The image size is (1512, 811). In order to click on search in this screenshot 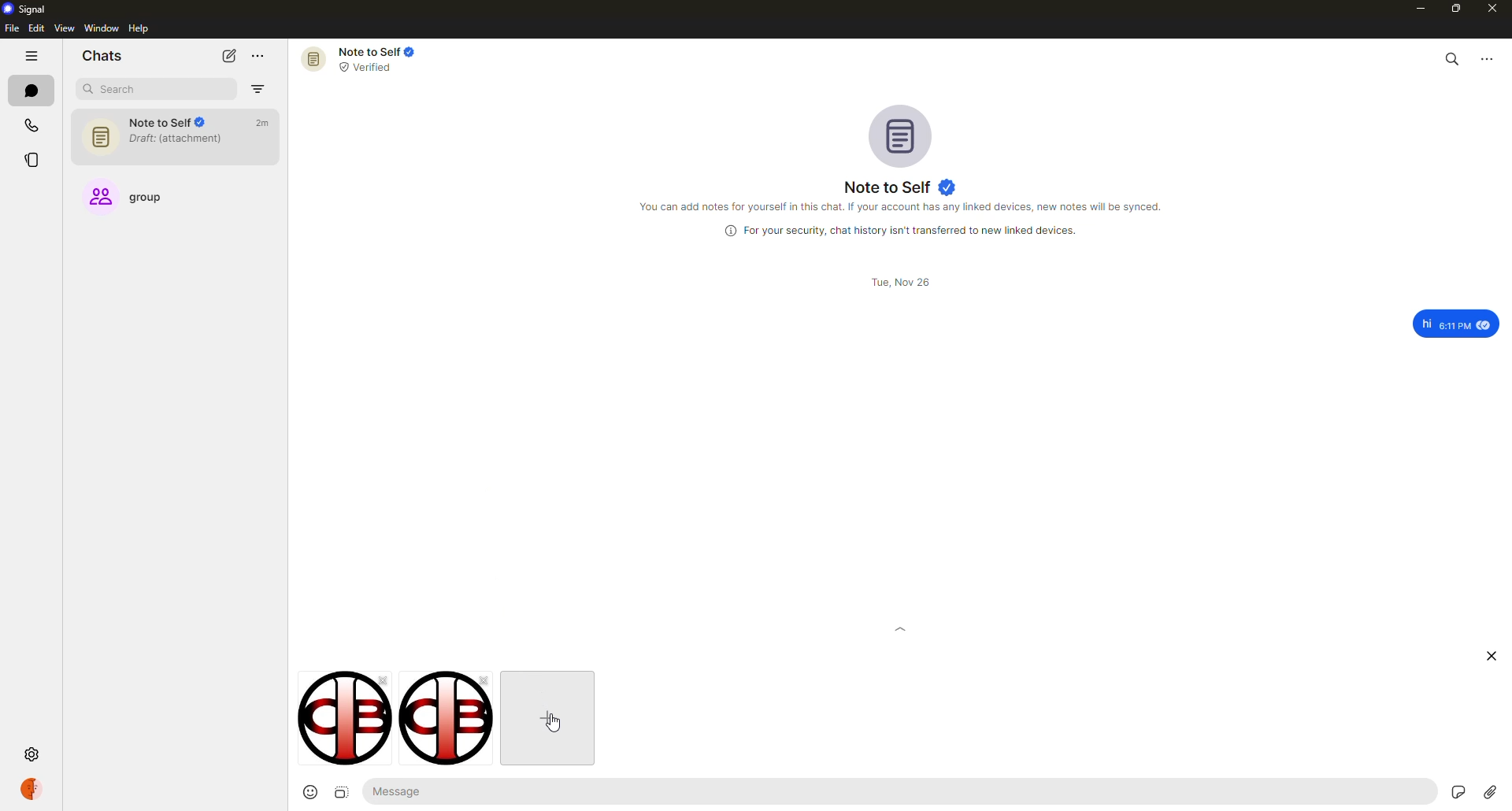, I will do `click(135, 87)`.